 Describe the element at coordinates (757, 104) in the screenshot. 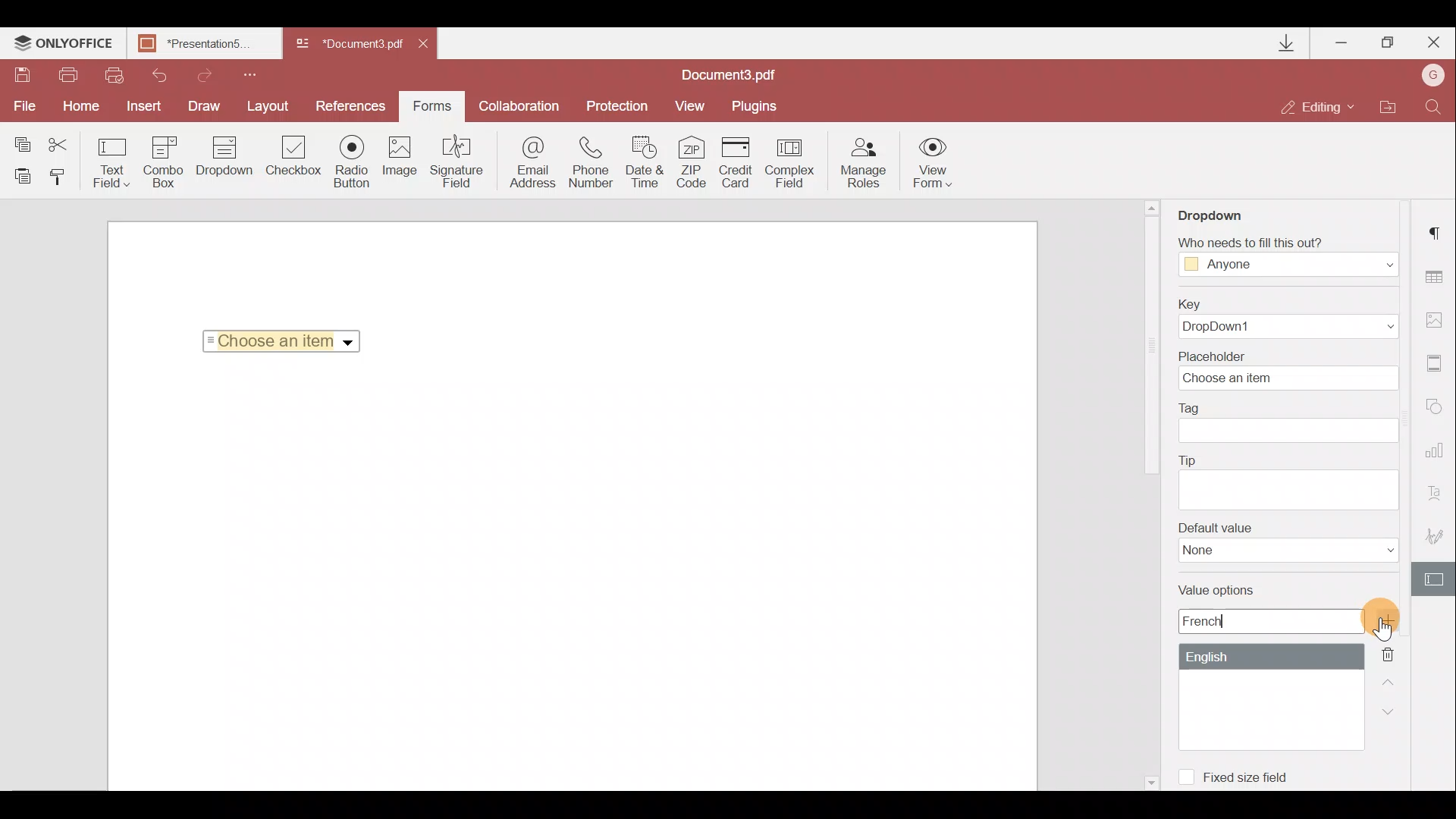

I see `Plugins` at that location.